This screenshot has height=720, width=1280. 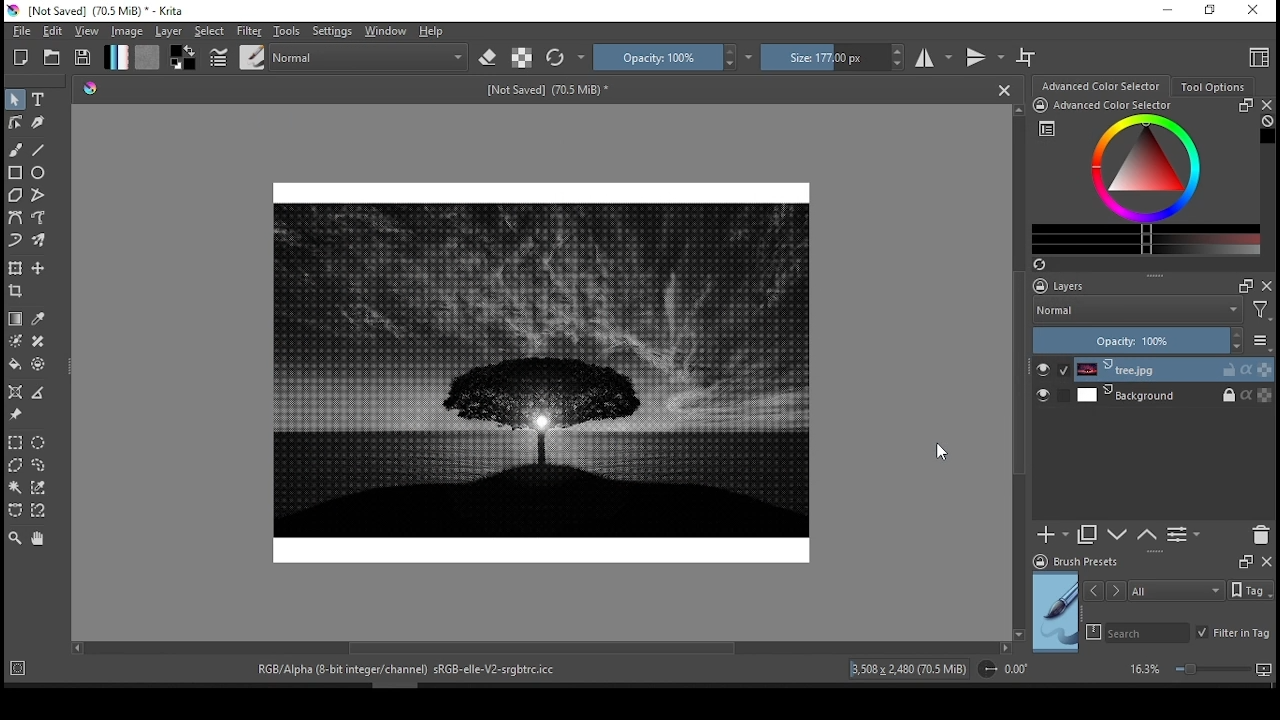 I want to click on polyline tool, so click(x=39, y=196).